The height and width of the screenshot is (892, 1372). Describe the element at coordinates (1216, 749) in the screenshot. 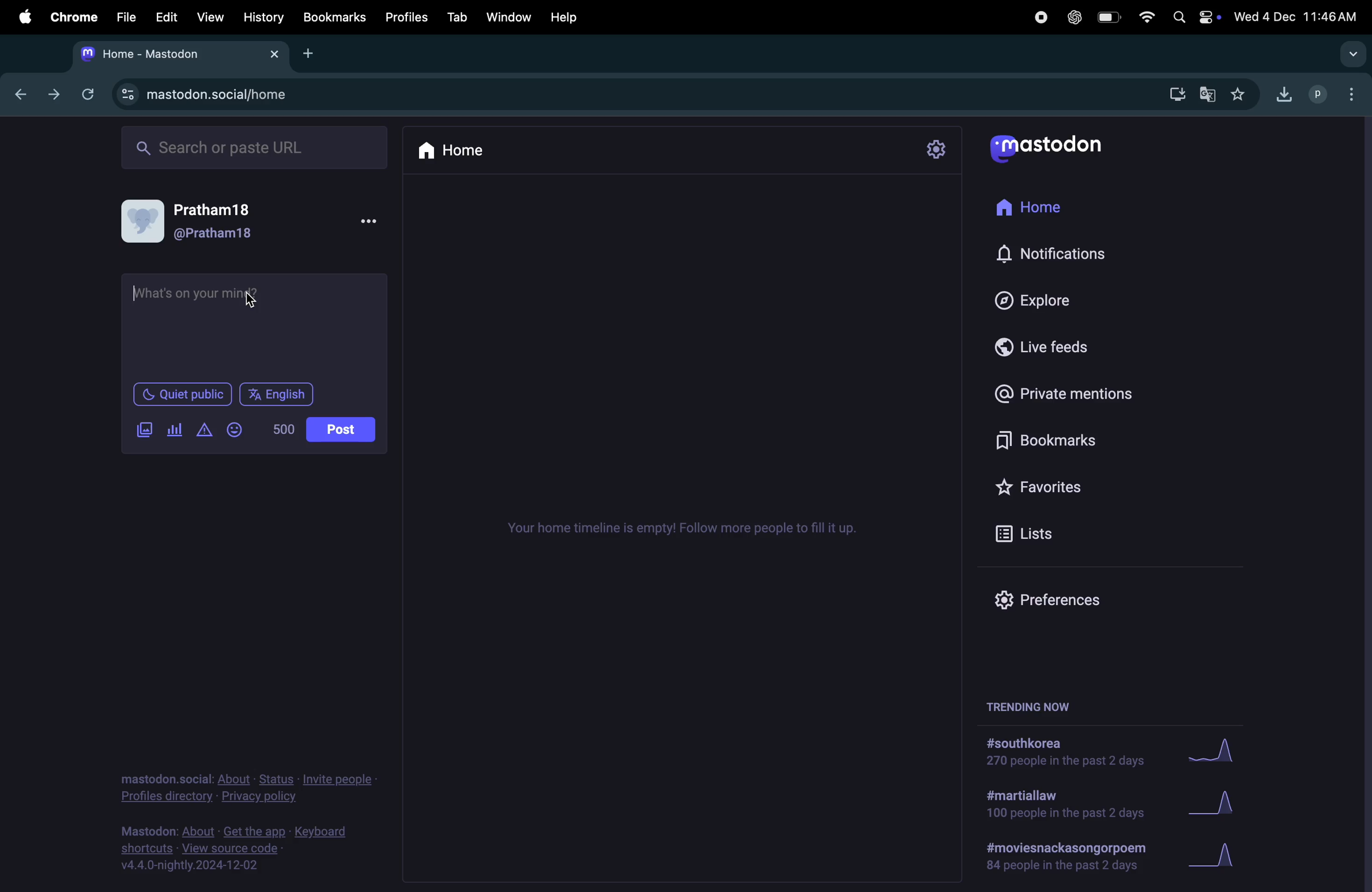

I see `Graph` at that location.